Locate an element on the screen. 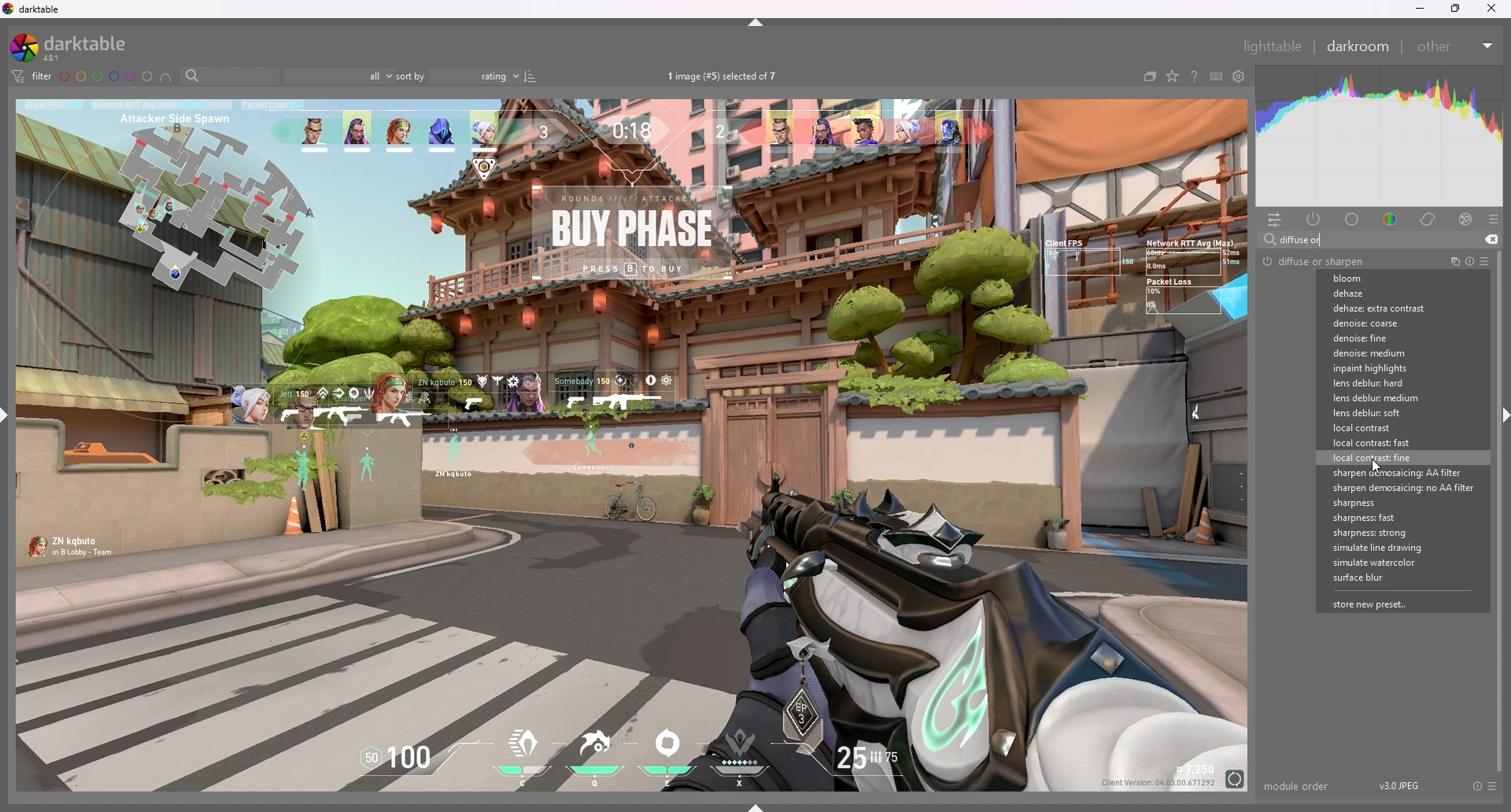  lens deblur medium is located at coordinates (1391, 398).